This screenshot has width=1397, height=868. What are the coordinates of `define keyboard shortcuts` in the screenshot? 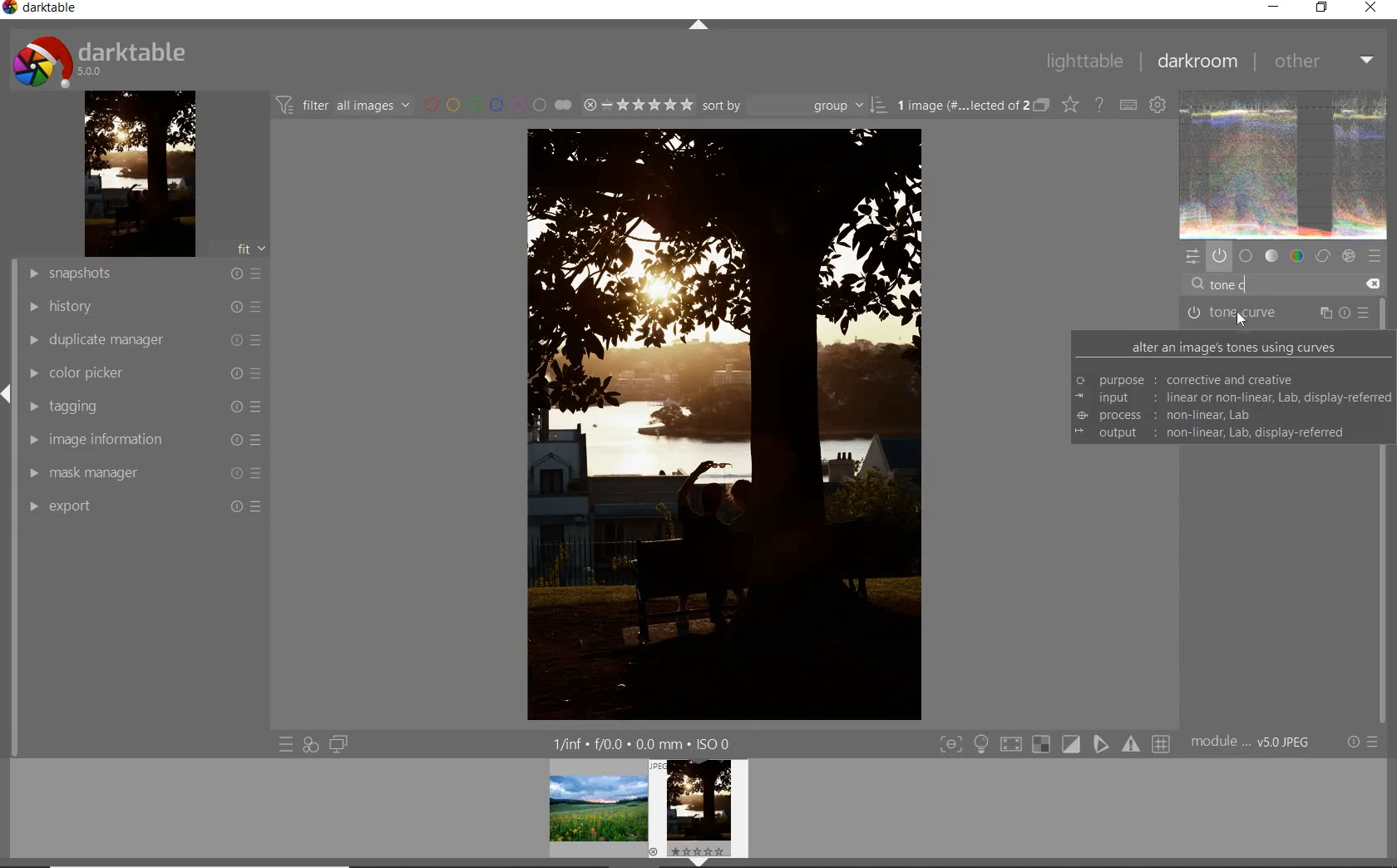 It's located at (1159, 104).